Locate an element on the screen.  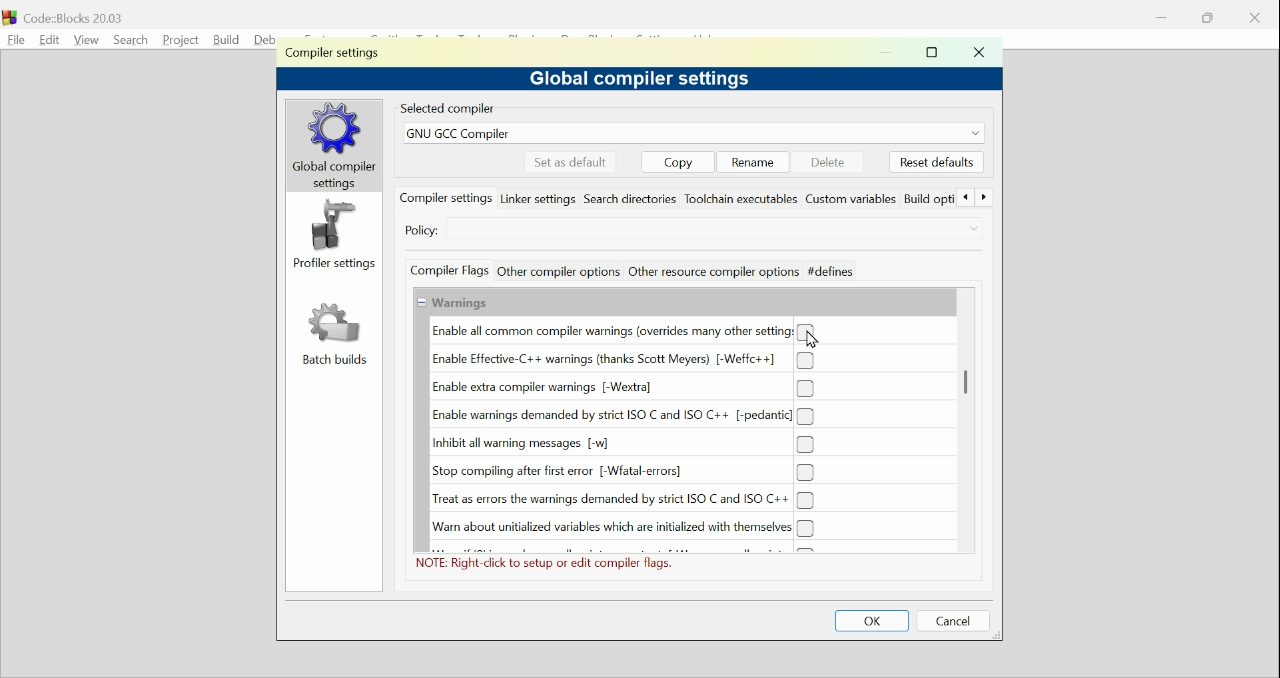
(un)check Inhibit all warning messages is located at coordinates (621, 444).